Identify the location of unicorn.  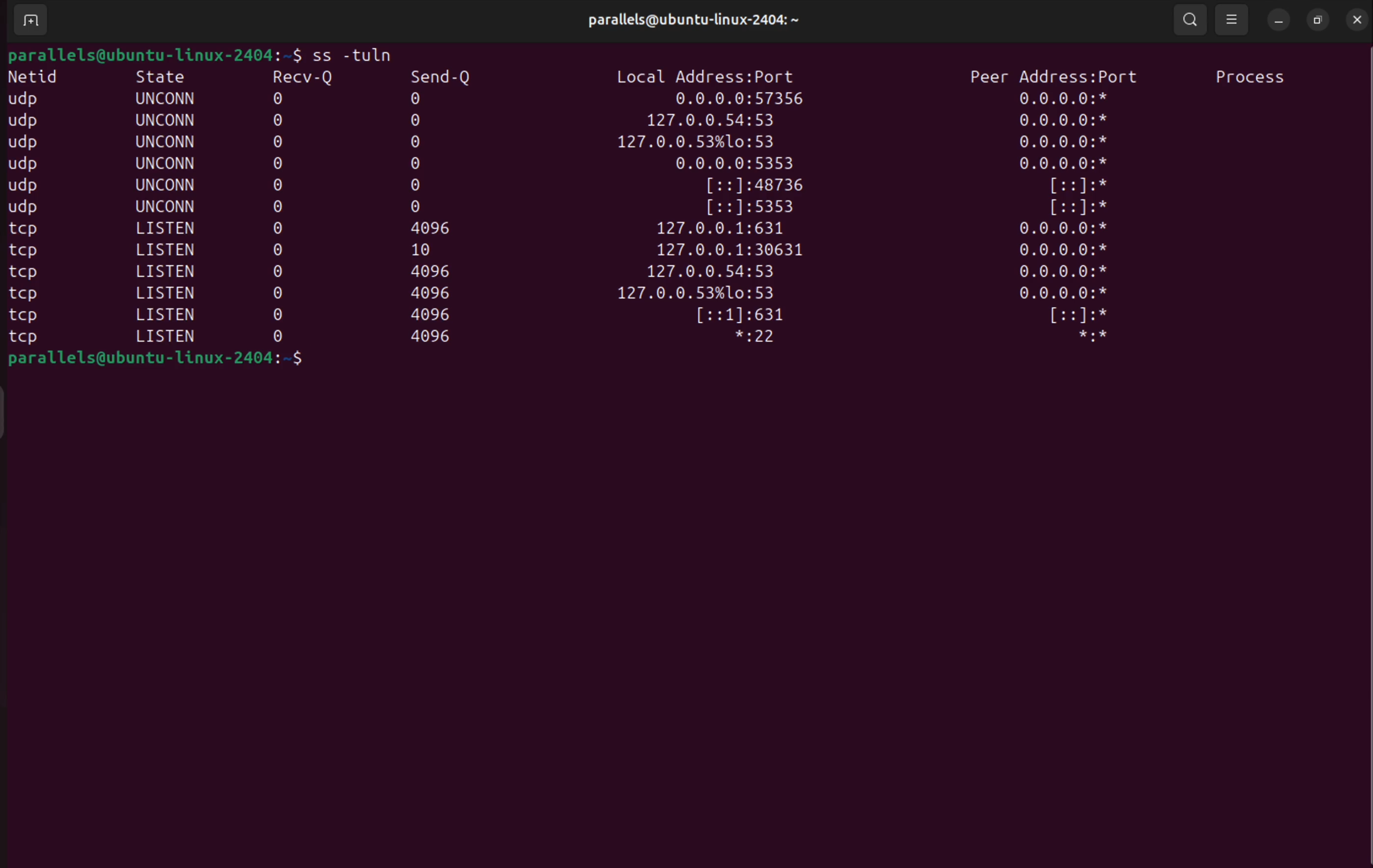
(164, 206).